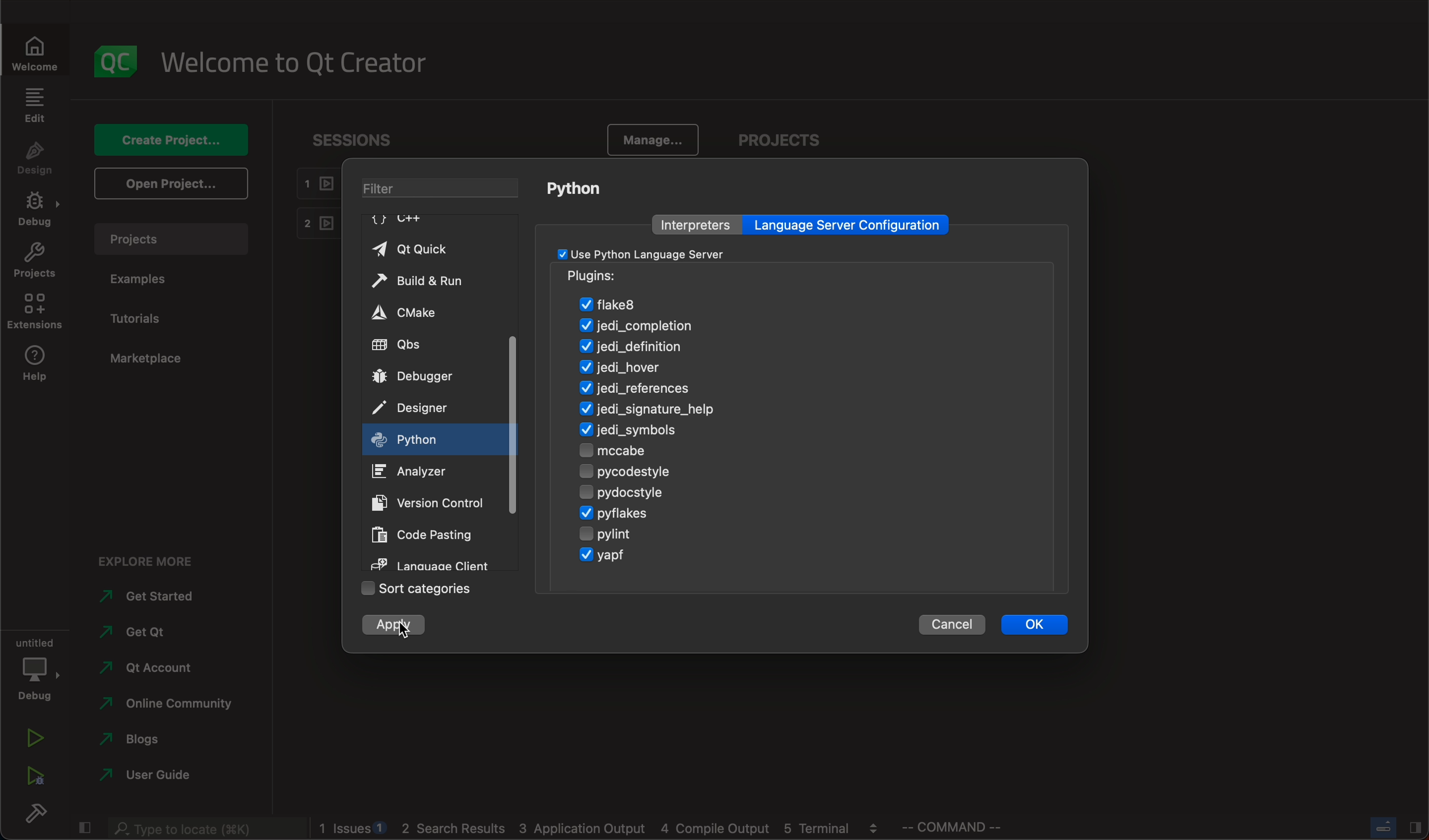  Describe the element at coordinates (642, 451) in the screenshot. I see `mccabe` at that location.